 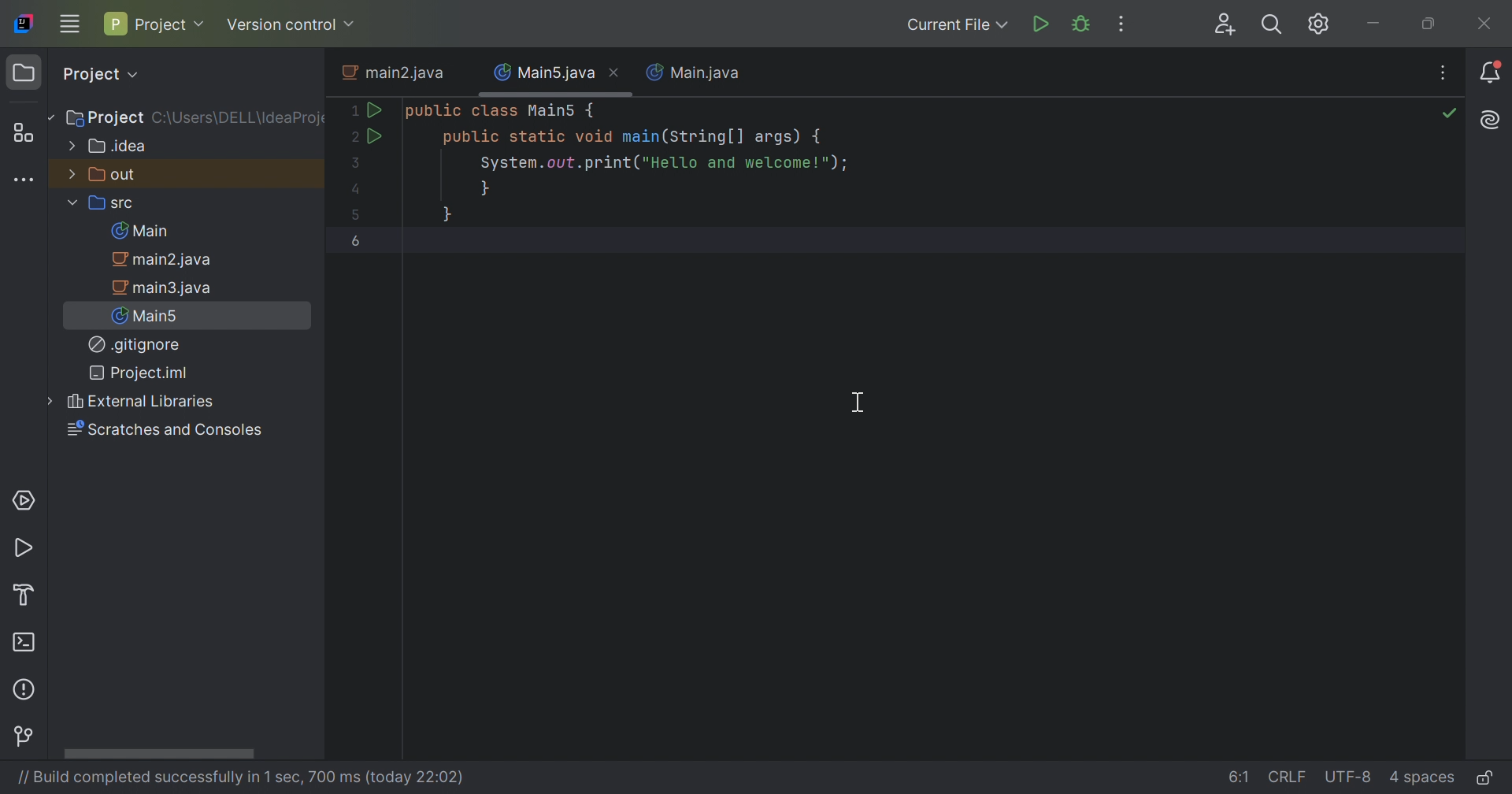 What do you see at coordinates (502, 111) in the screenshot?
I see `public static Main5 {` at bounding box center [502, 111].